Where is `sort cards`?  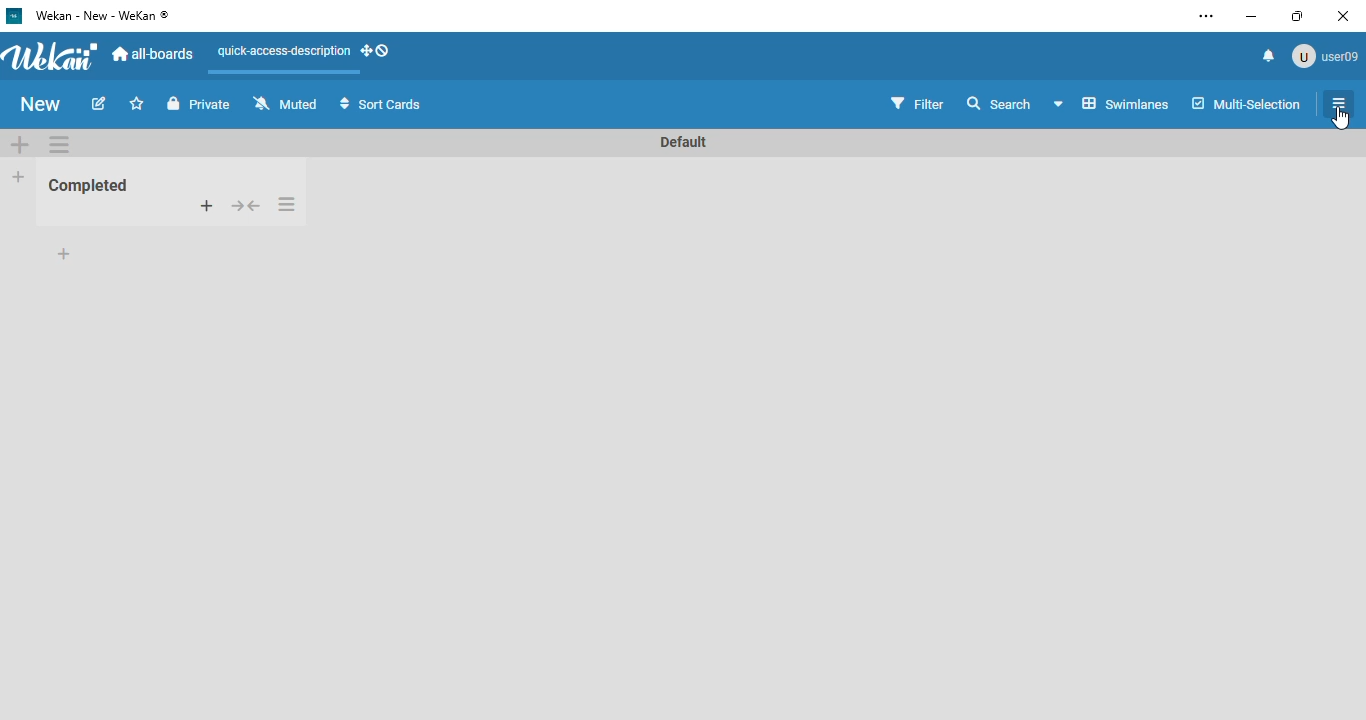 sort cards is located at coordinates (382, 103).